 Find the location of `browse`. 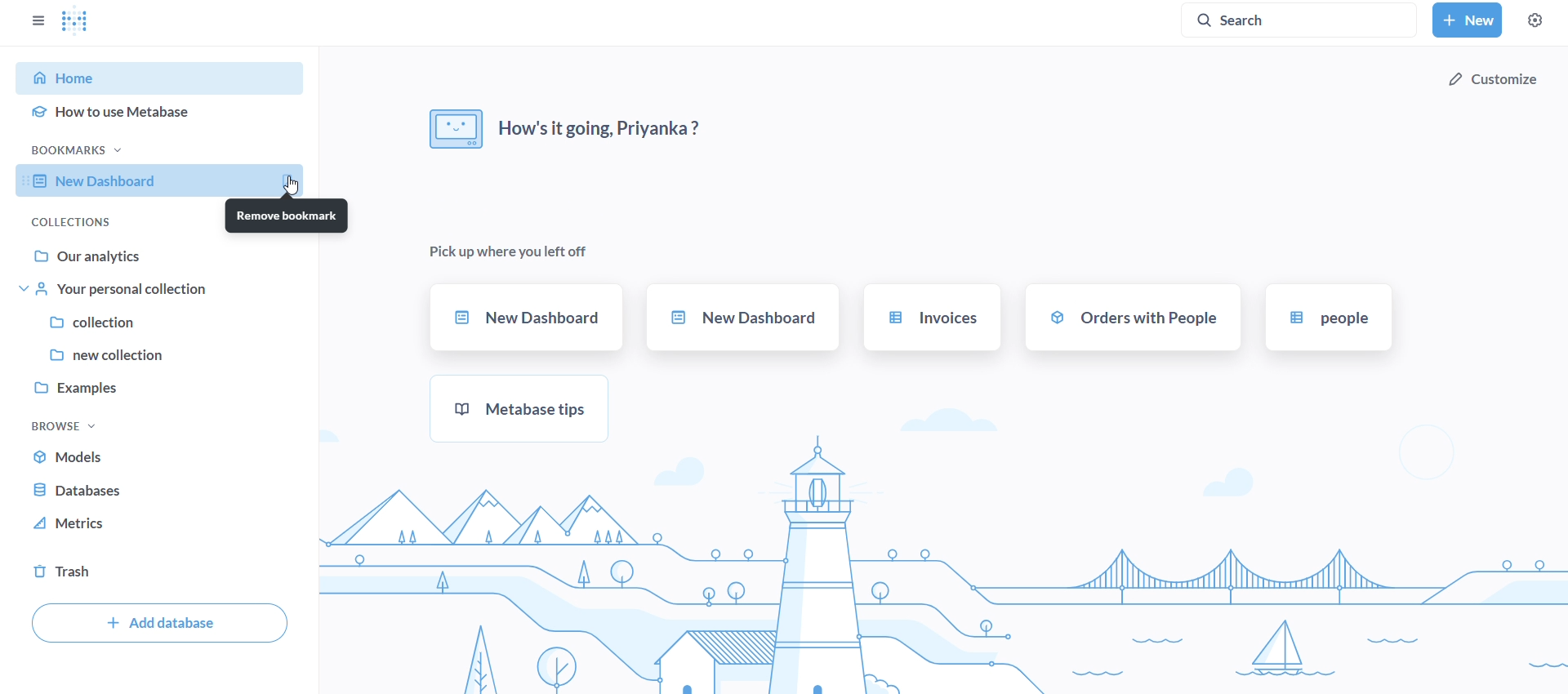

browse is located at coordinates (69, 426).